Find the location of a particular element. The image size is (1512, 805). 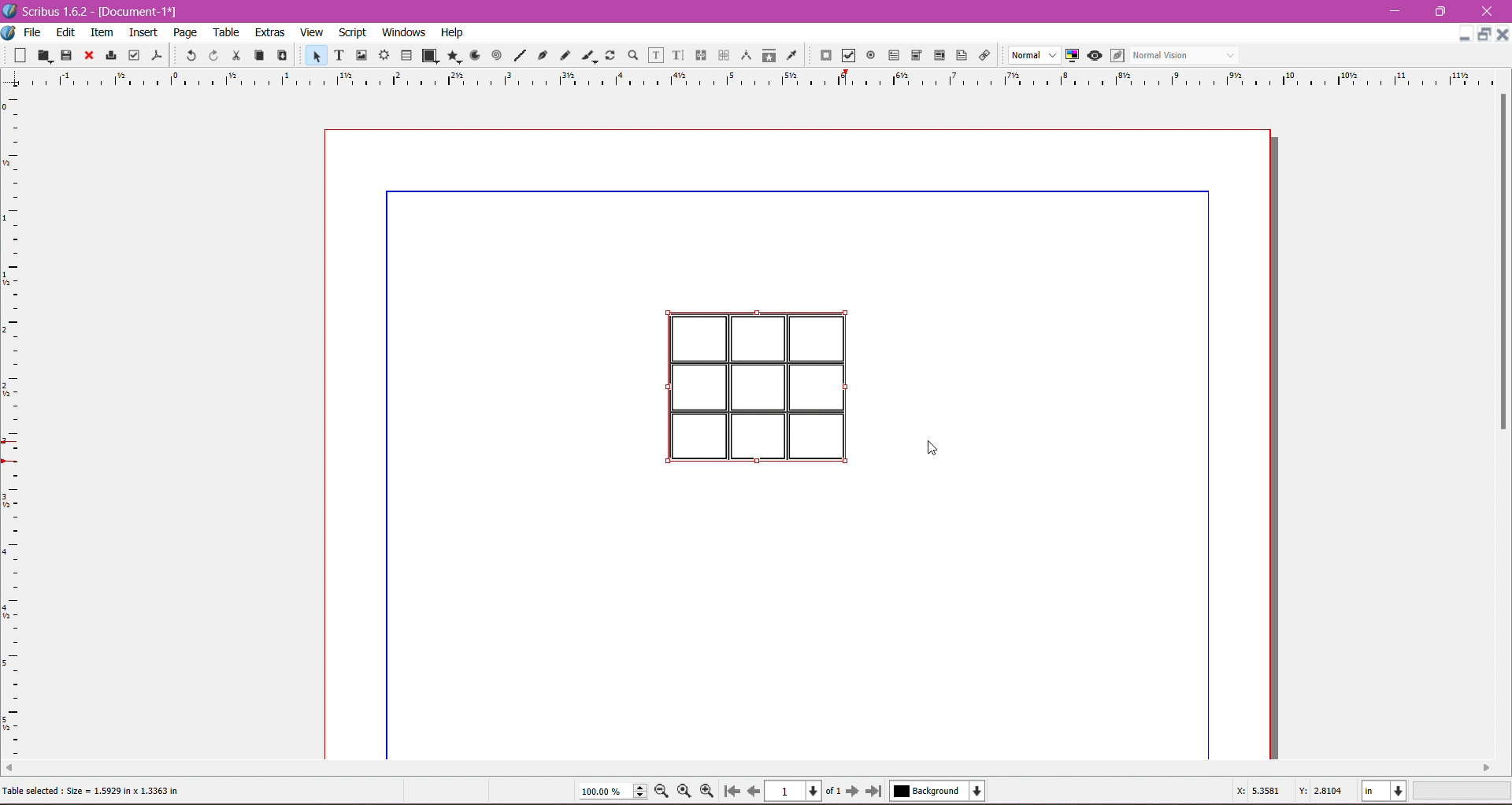

Text Frame is located at coordinates (335, 55).